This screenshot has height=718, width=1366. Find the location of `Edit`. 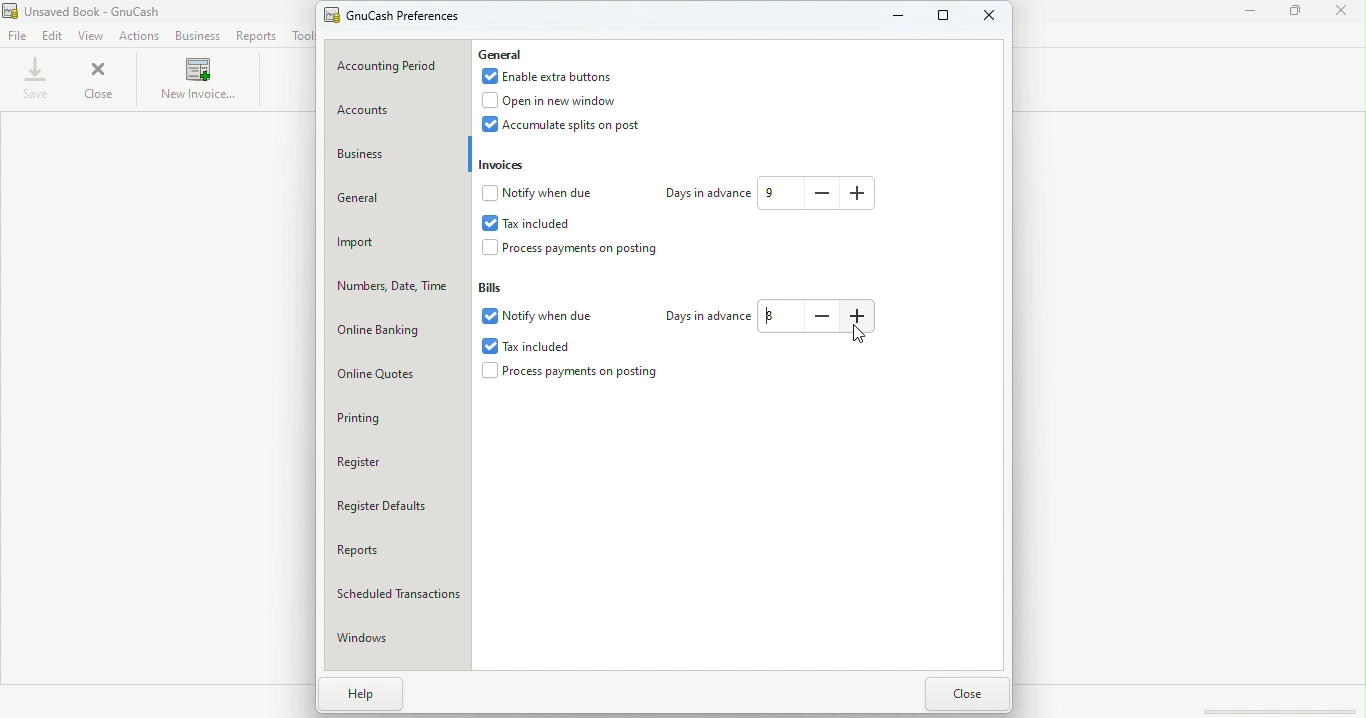

Edit is located at coordinates (53, 37).